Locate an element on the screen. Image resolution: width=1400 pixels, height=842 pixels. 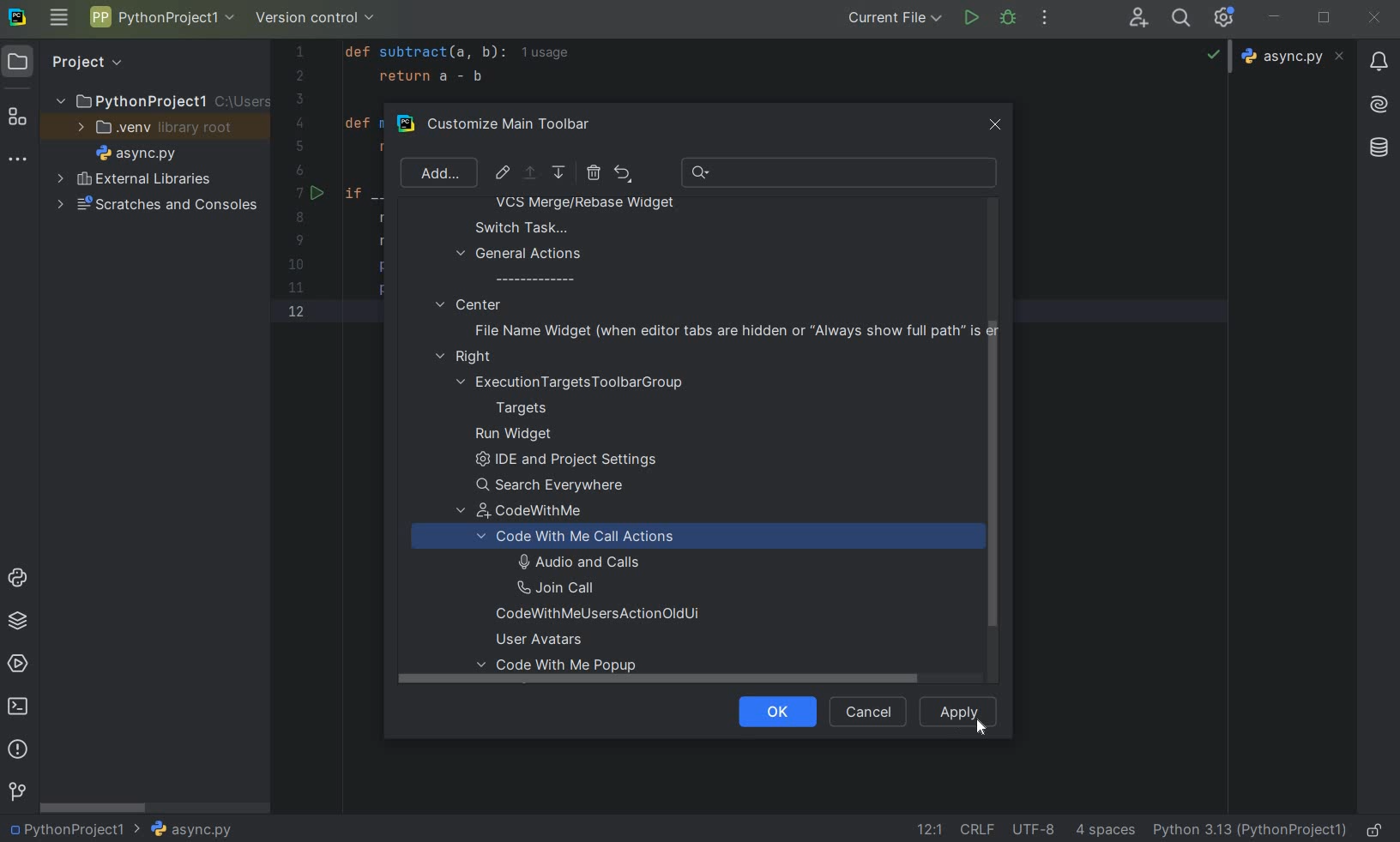
INDENT is located at coordinates (1103, 829).